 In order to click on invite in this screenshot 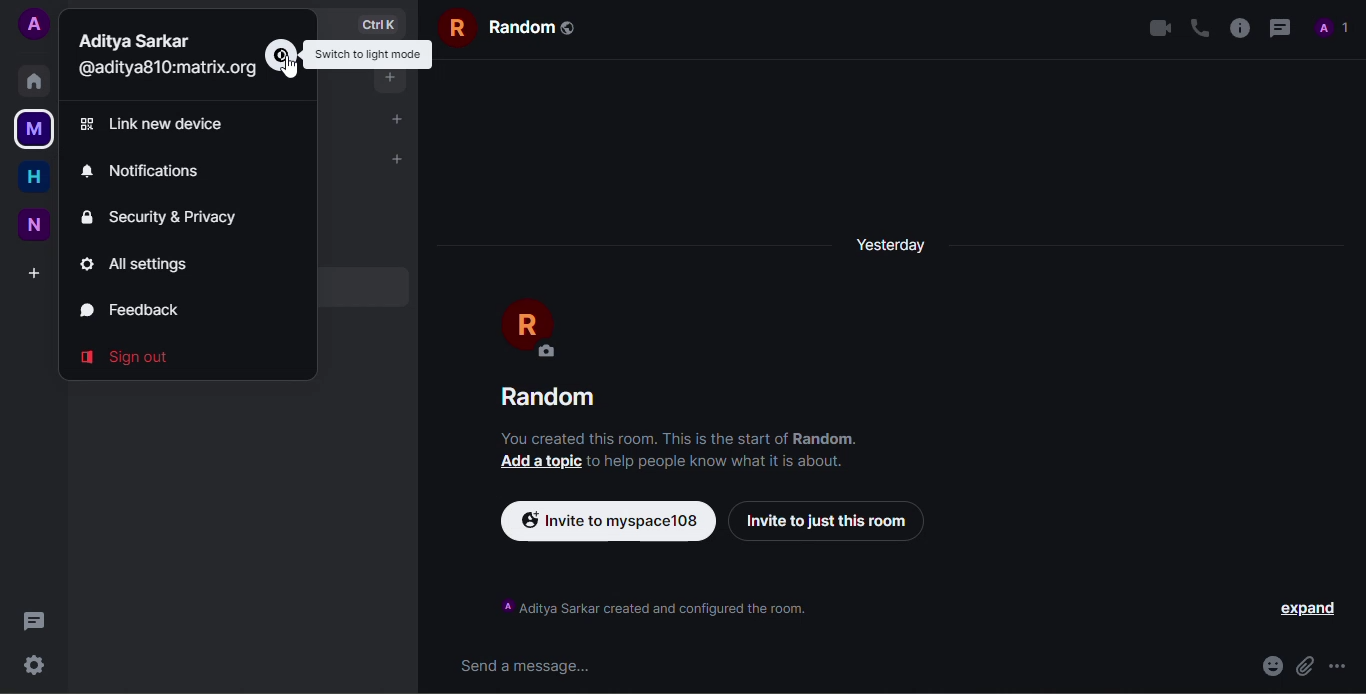, I will do `click(828, 519)`.